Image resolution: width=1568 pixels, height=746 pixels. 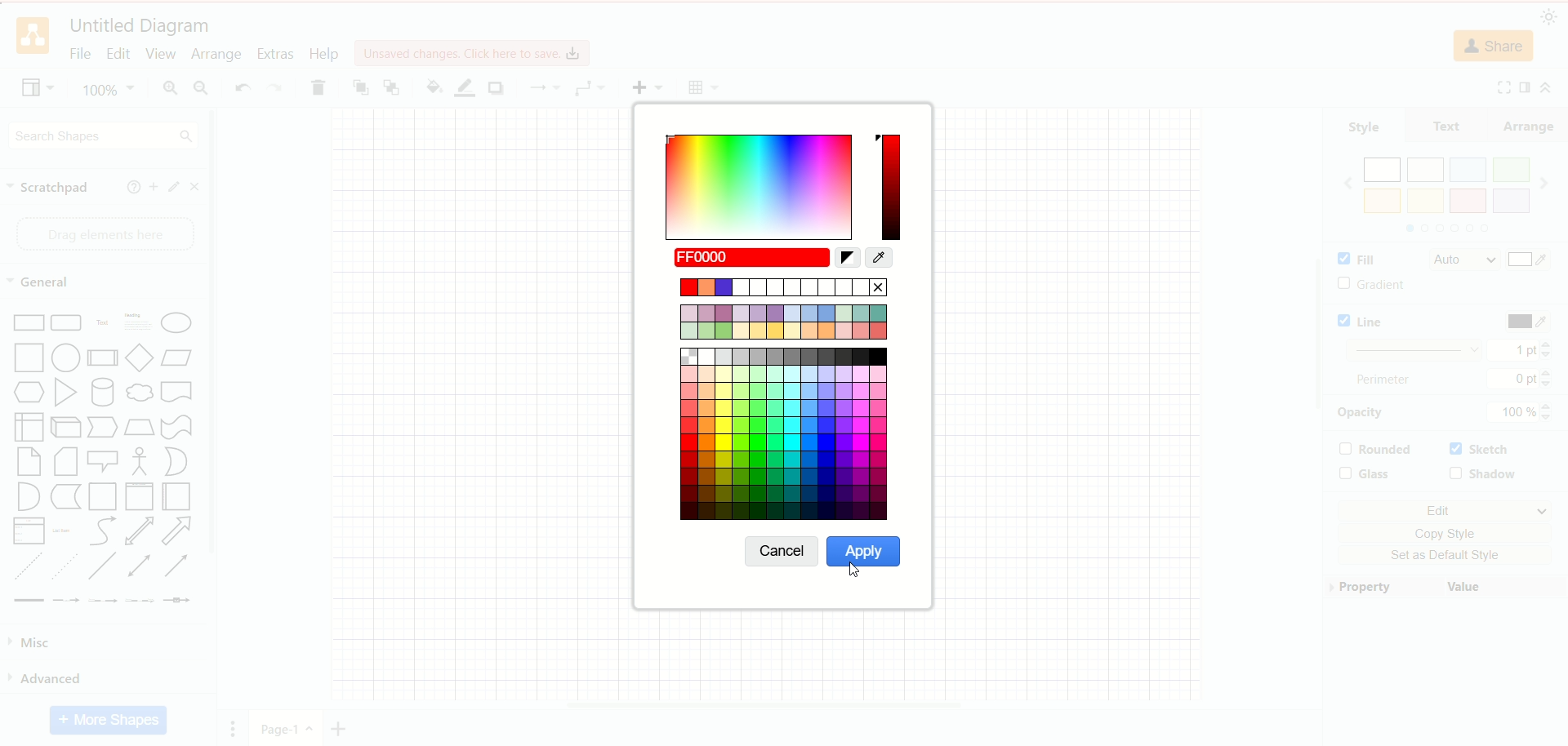 What do you see at coordinates (782, 552) in the screenshot?
I see `cancel` at bounding box center [782, 552].